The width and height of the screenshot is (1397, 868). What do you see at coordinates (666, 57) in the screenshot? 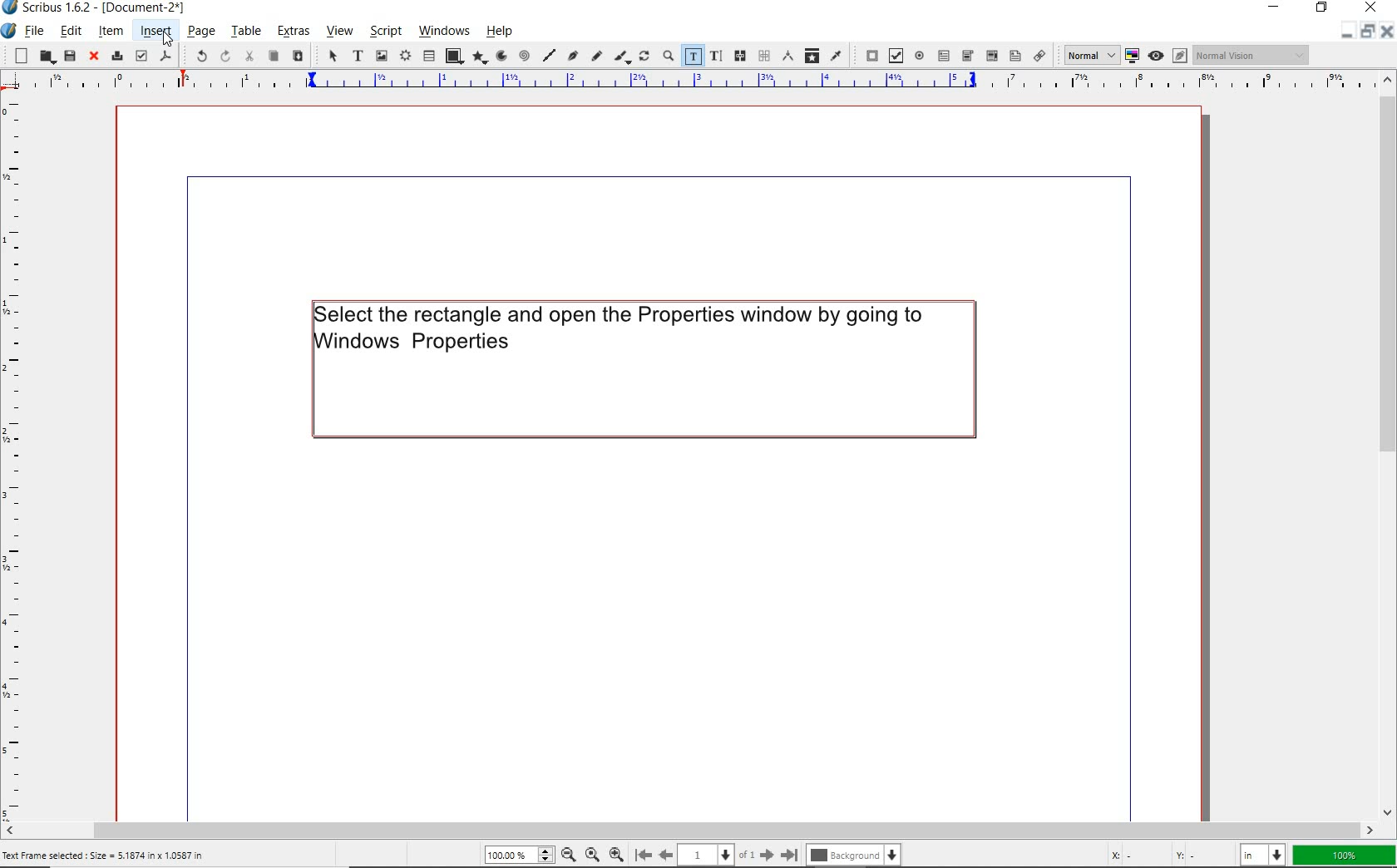
I see `zoom in or zoom out` at bounding box center [666, 57].